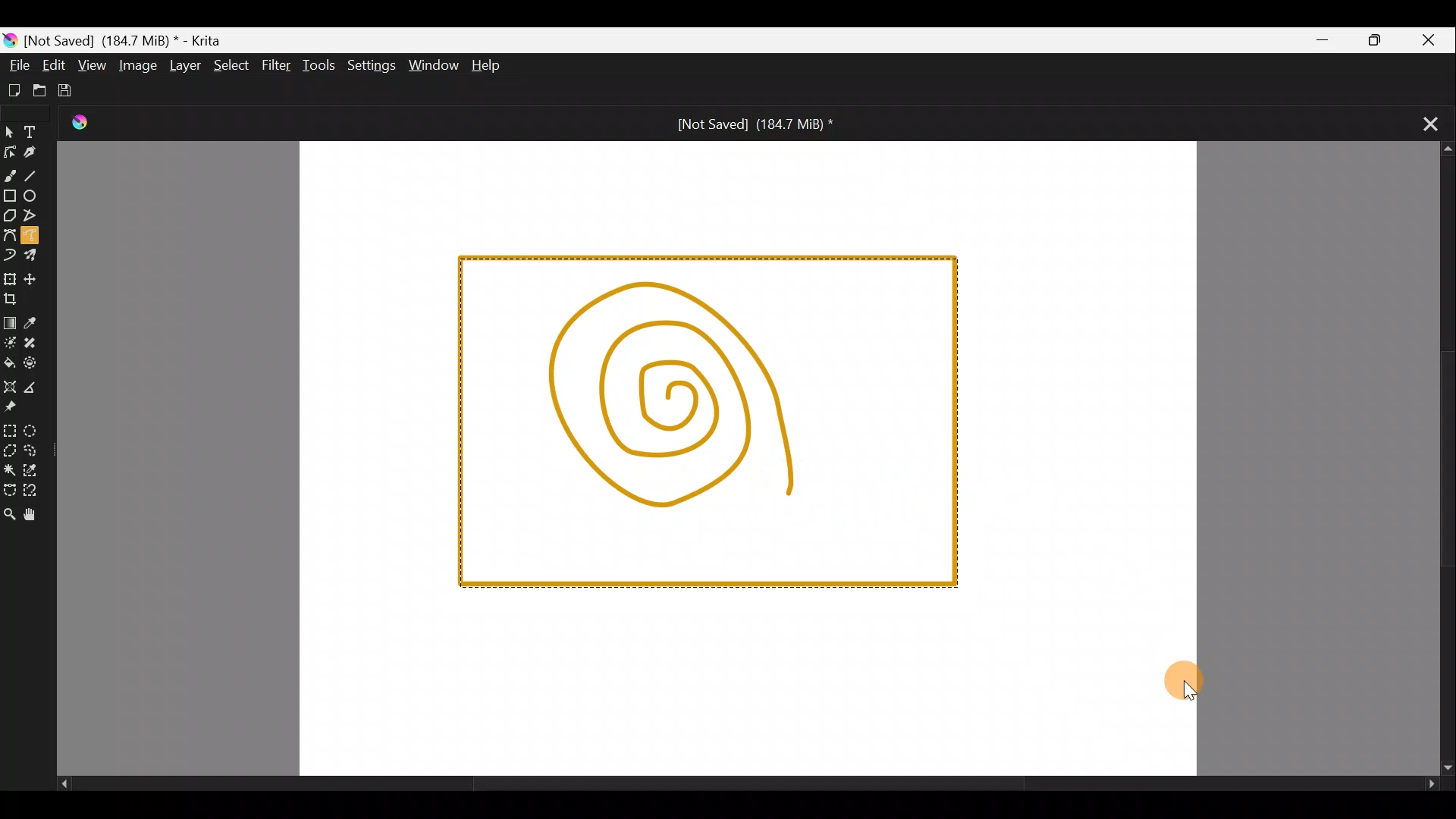 This screenshot has height=819, width=1456. I want to click on Polygonal selection tool, so click(9, 452).